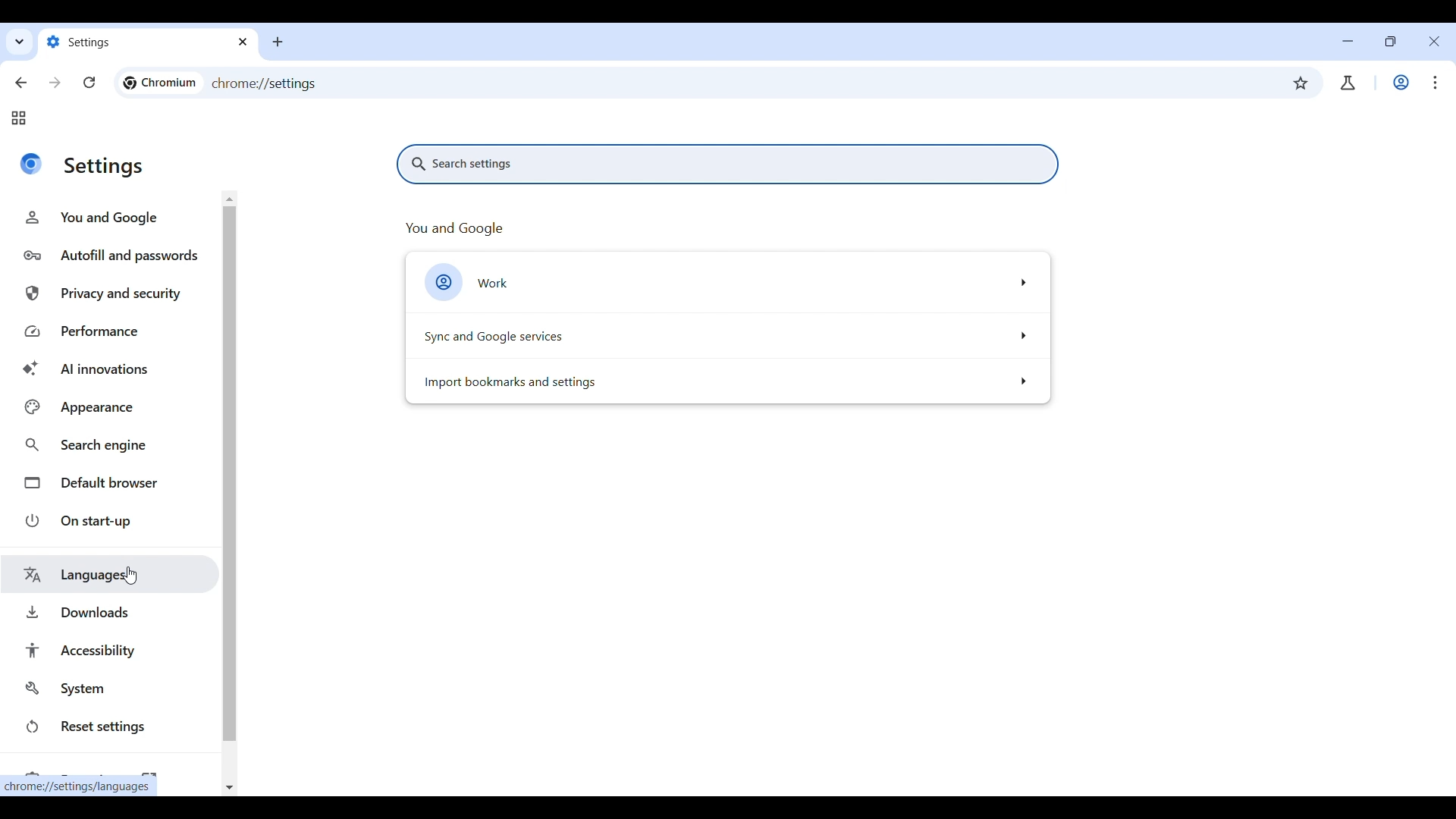 The width and height of the screenshot is (1456, 819). What do you see at coordinates (18, 118) in the screenshot?
I see `Tab groups` at bounding box center [18, 118].